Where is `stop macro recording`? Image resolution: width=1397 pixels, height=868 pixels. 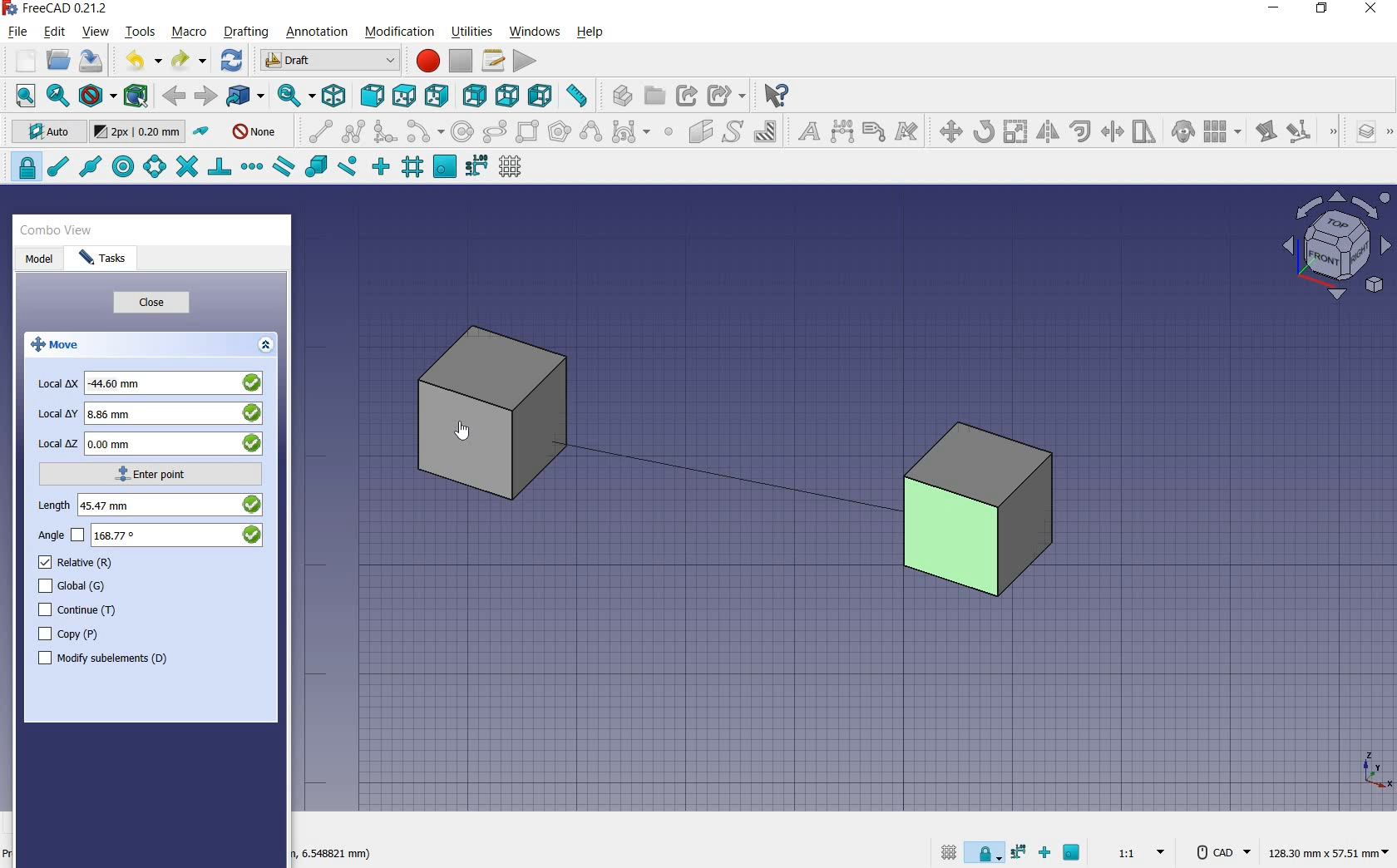
stop macro recording is located at coordinates (458, 62).